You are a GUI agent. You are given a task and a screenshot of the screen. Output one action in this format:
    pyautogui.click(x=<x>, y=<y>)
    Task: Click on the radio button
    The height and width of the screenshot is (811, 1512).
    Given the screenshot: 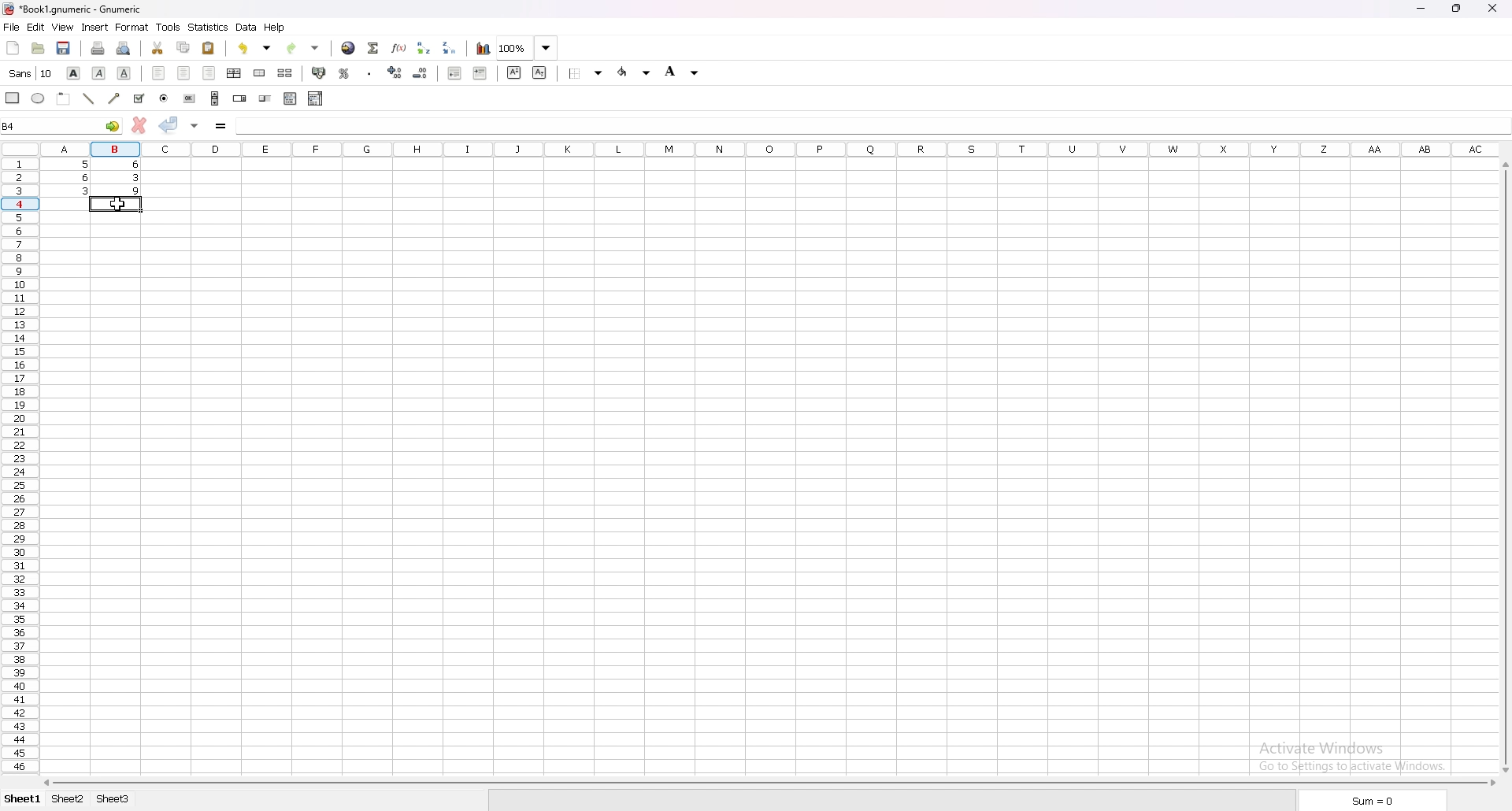 What is the action you would take?
    pyautogui.click(x=165, y=98)
    